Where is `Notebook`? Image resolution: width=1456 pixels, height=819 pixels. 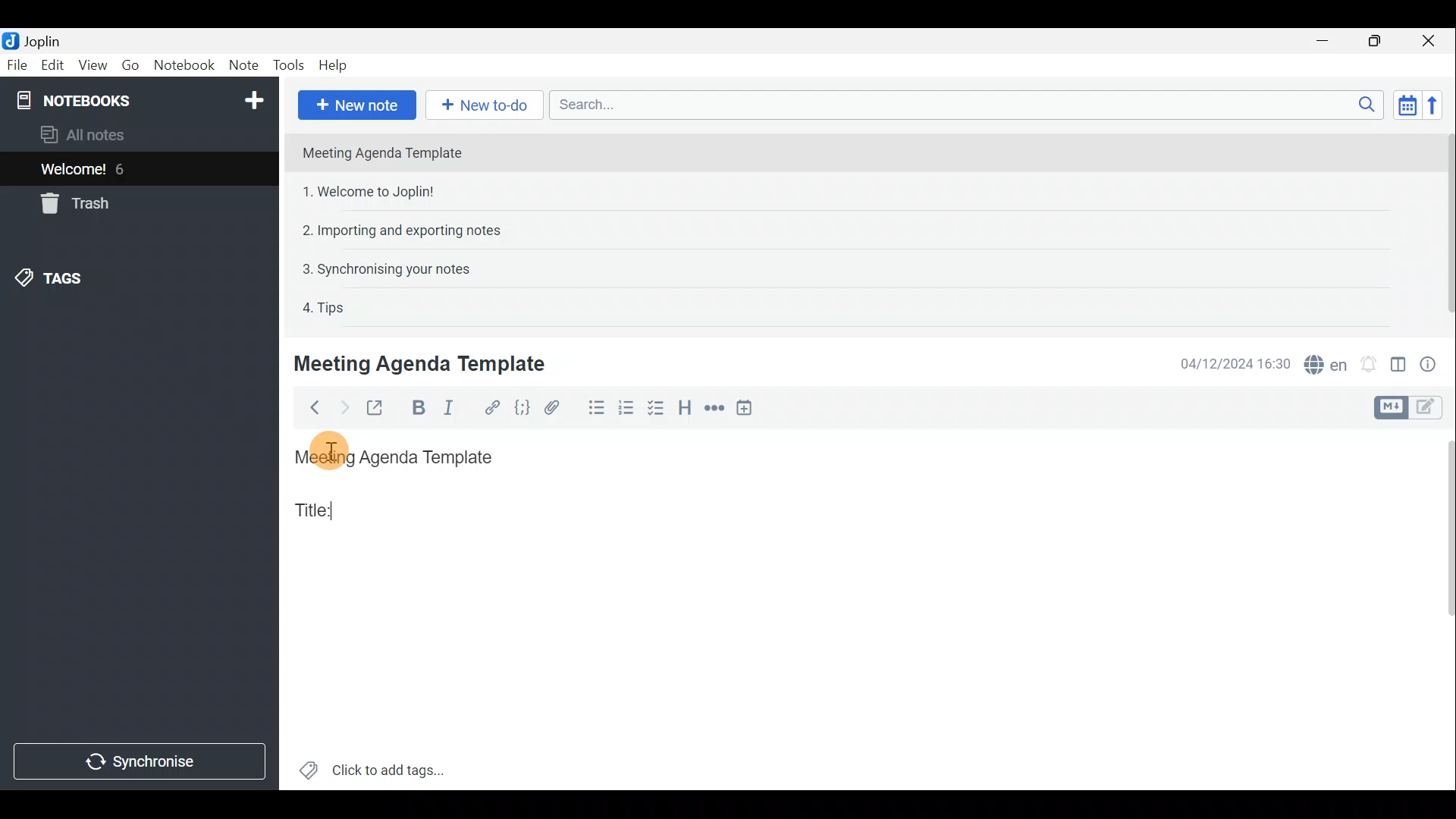
Notebook is located at coordinates (185, 64).